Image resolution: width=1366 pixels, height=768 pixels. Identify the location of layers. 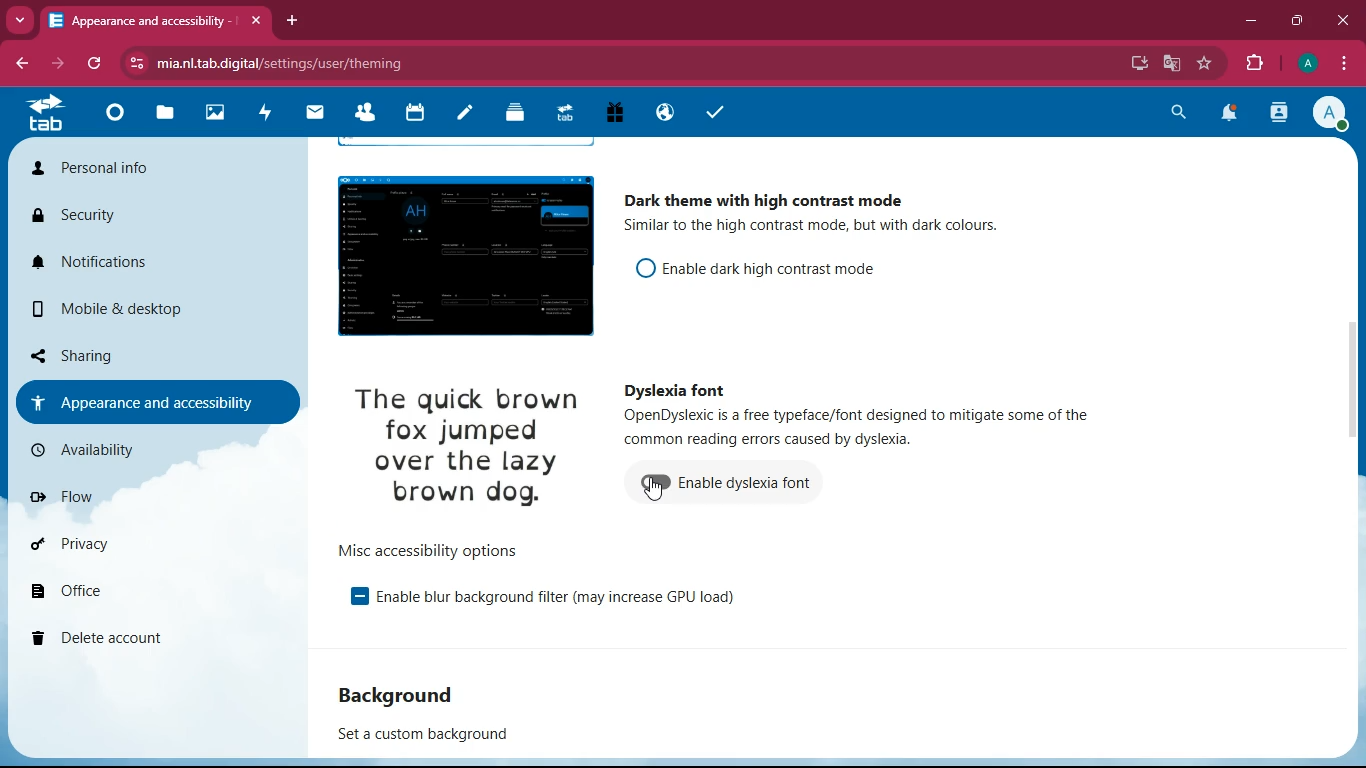
(520, 114).